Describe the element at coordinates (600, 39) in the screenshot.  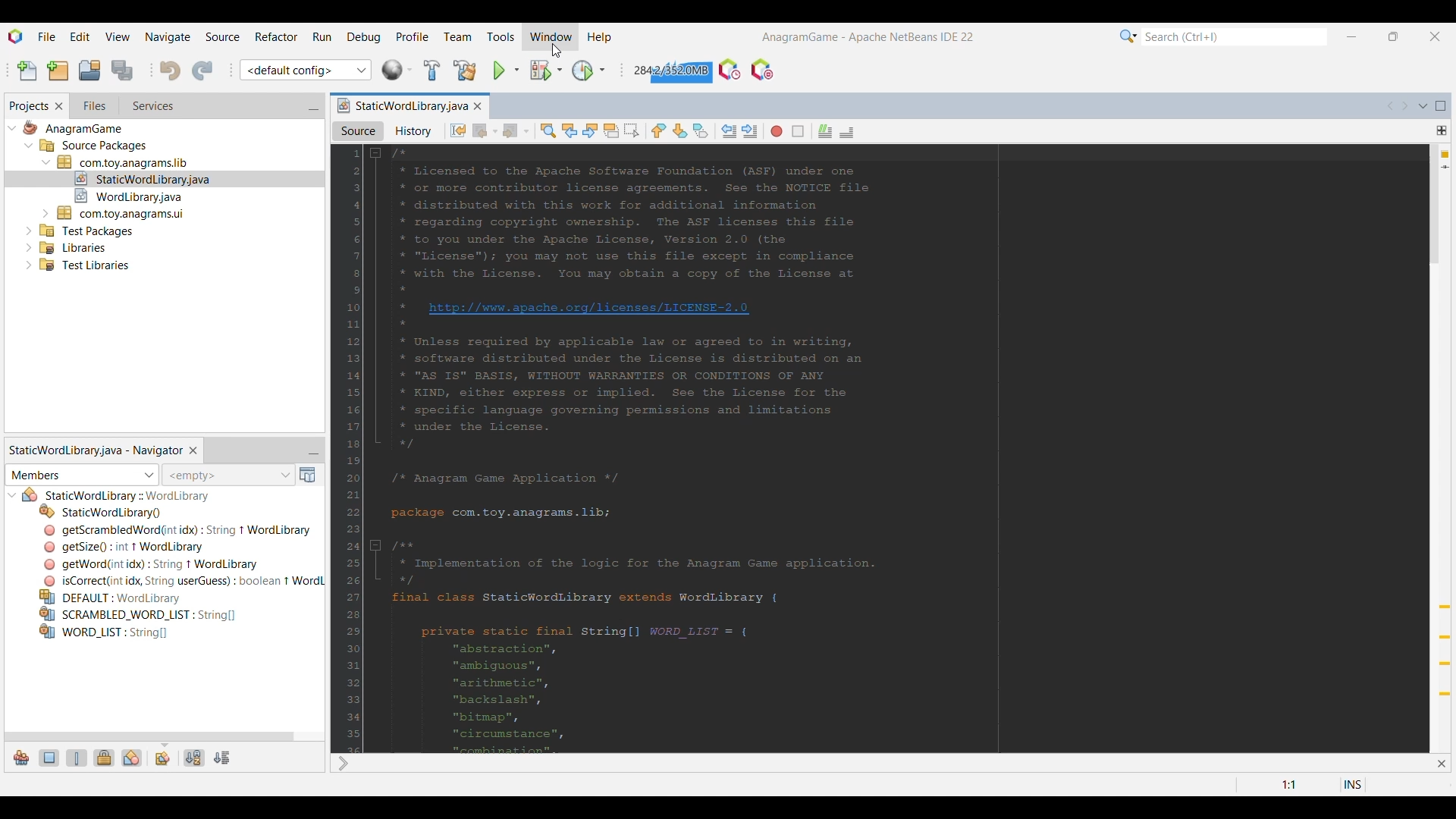
I see `Help menu` at that location.